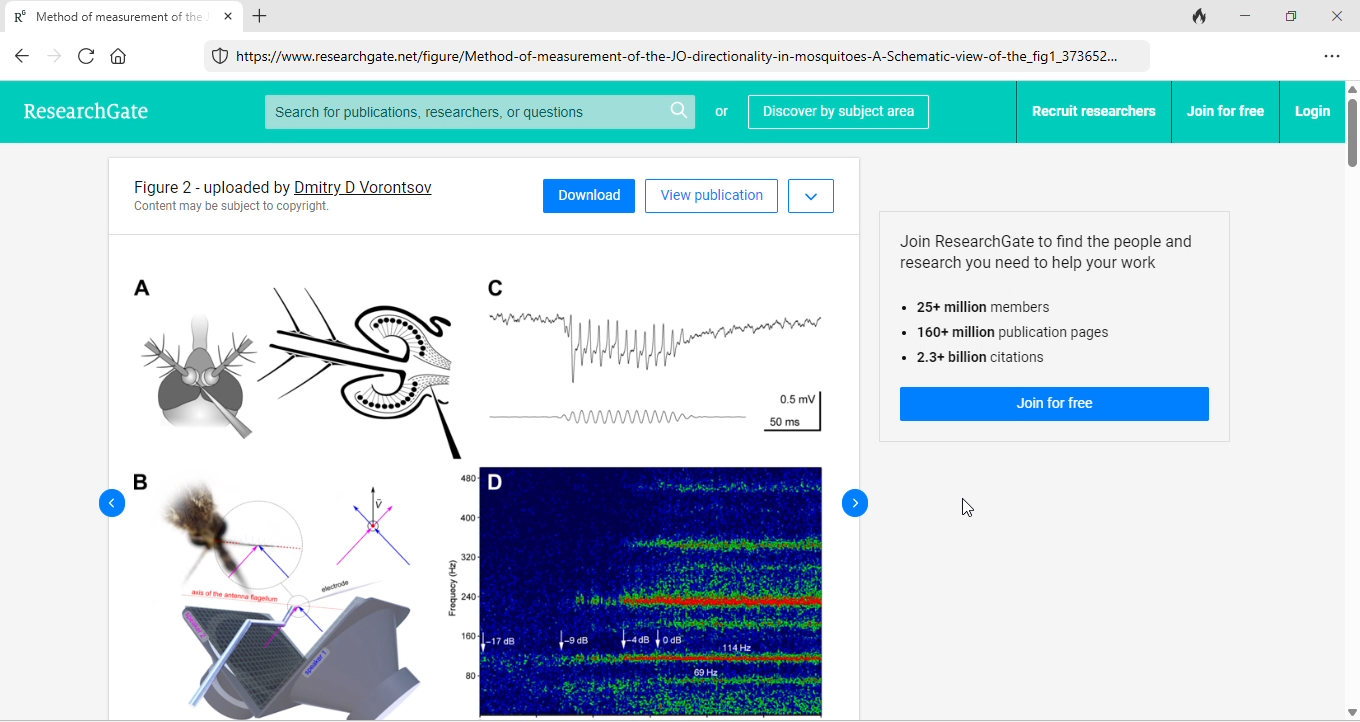 This screenshot has height=722, width=1360. I want to click on  https://www.researchgate.net/figure/Method-of-measurement-of-the-JO-directionality-in-mosquitoes-A-Schematic-view-of-the_fig1_373652..., so click(679, 56).